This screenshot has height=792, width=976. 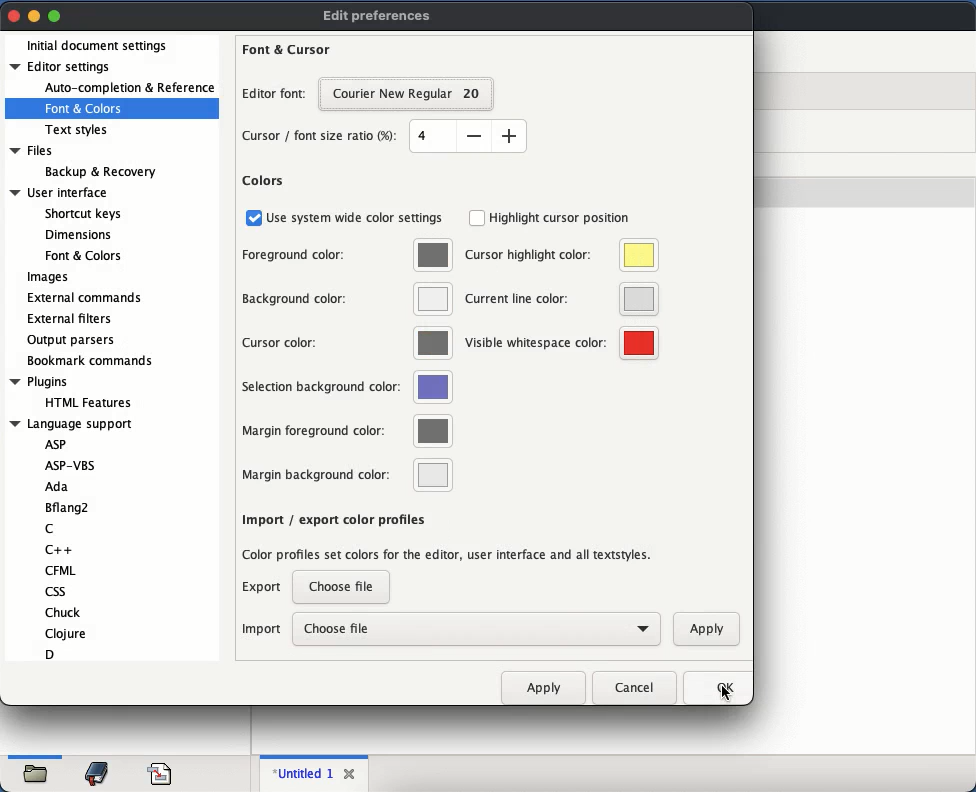 What do you see at coordinates (434, 255) in the screenshot?
I see `color` at bounding box center [434, 255].